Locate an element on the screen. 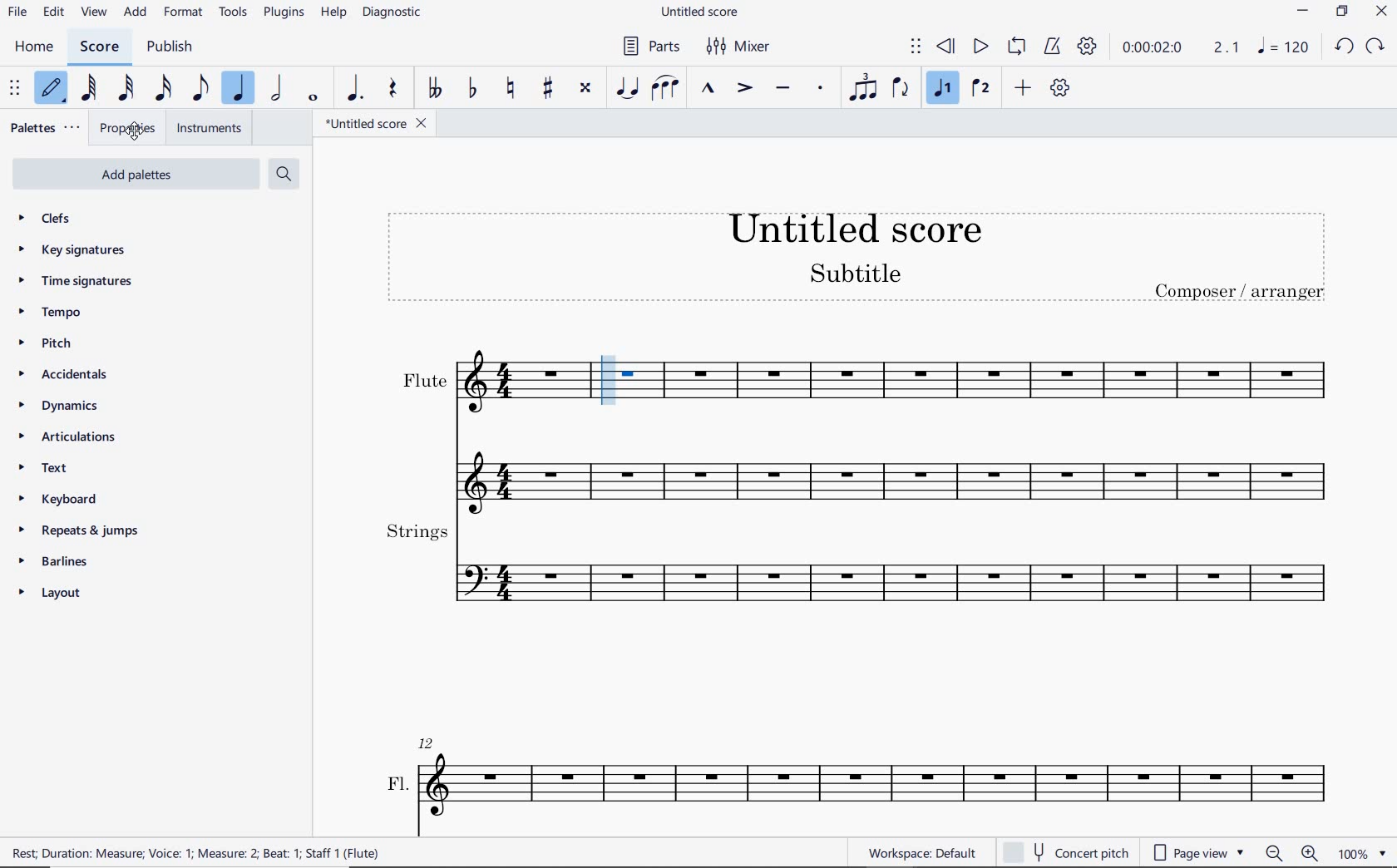 This screenshot has height=868, width=1397. ADD is located at coordinates (1025, 87).